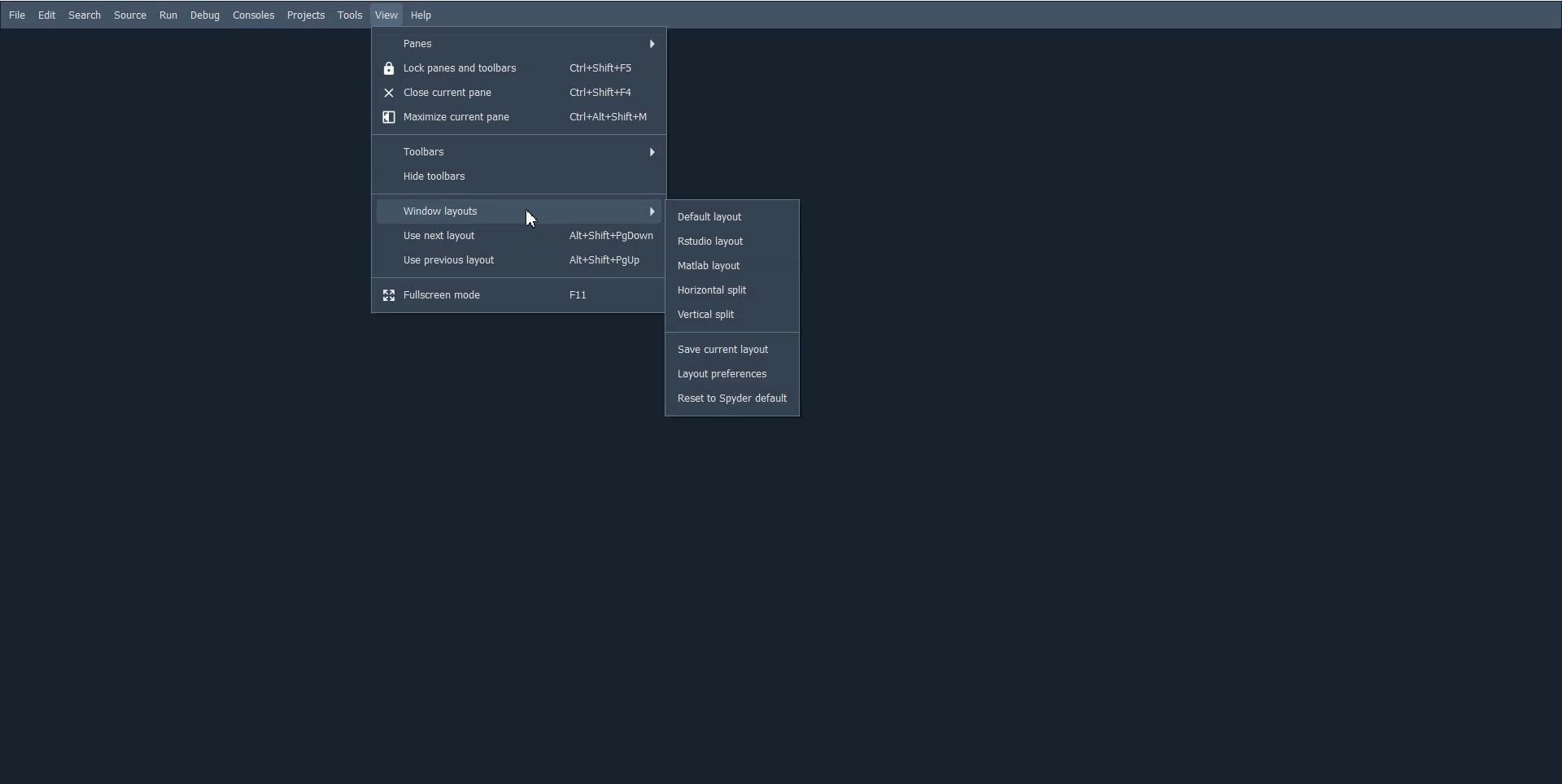  What do you see at coordinates (733, 216) in the screenshot?
I see `Default layout` at bounding box center [733, 216].